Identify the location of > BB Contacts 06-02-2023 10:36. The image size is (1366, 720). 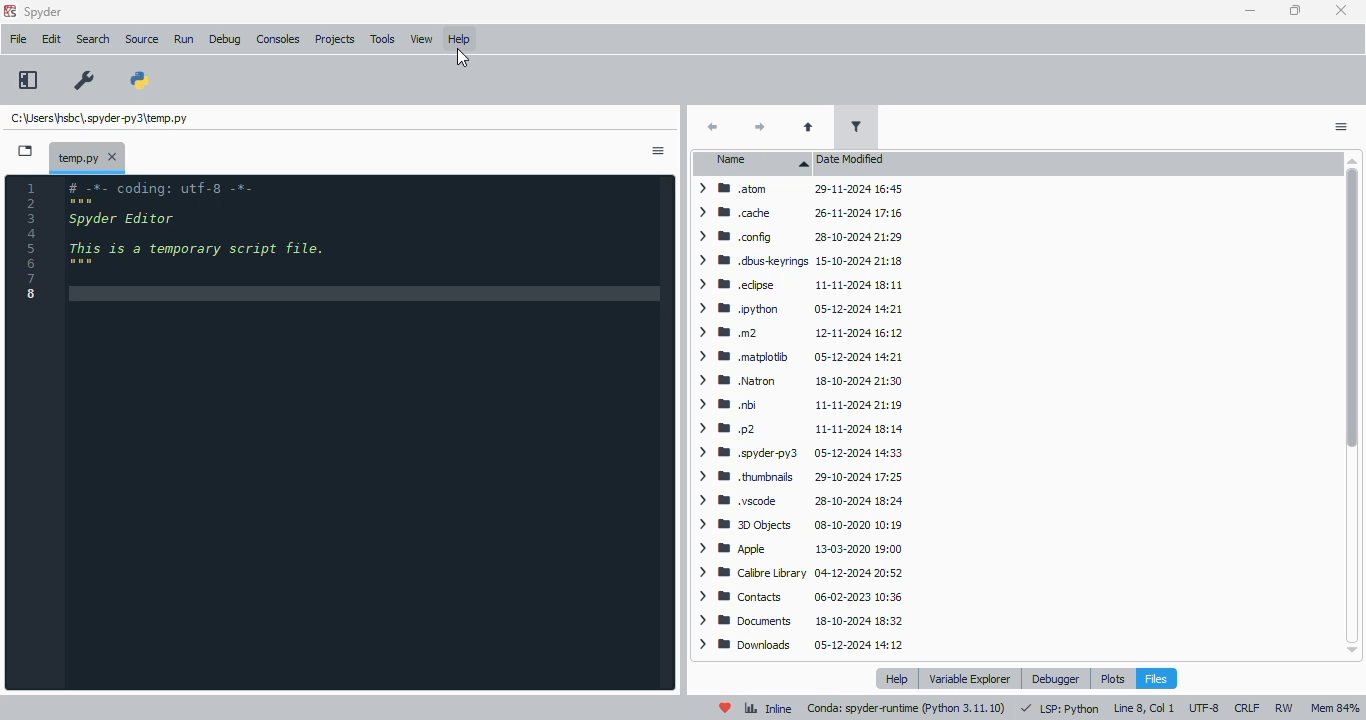
(799, 596).